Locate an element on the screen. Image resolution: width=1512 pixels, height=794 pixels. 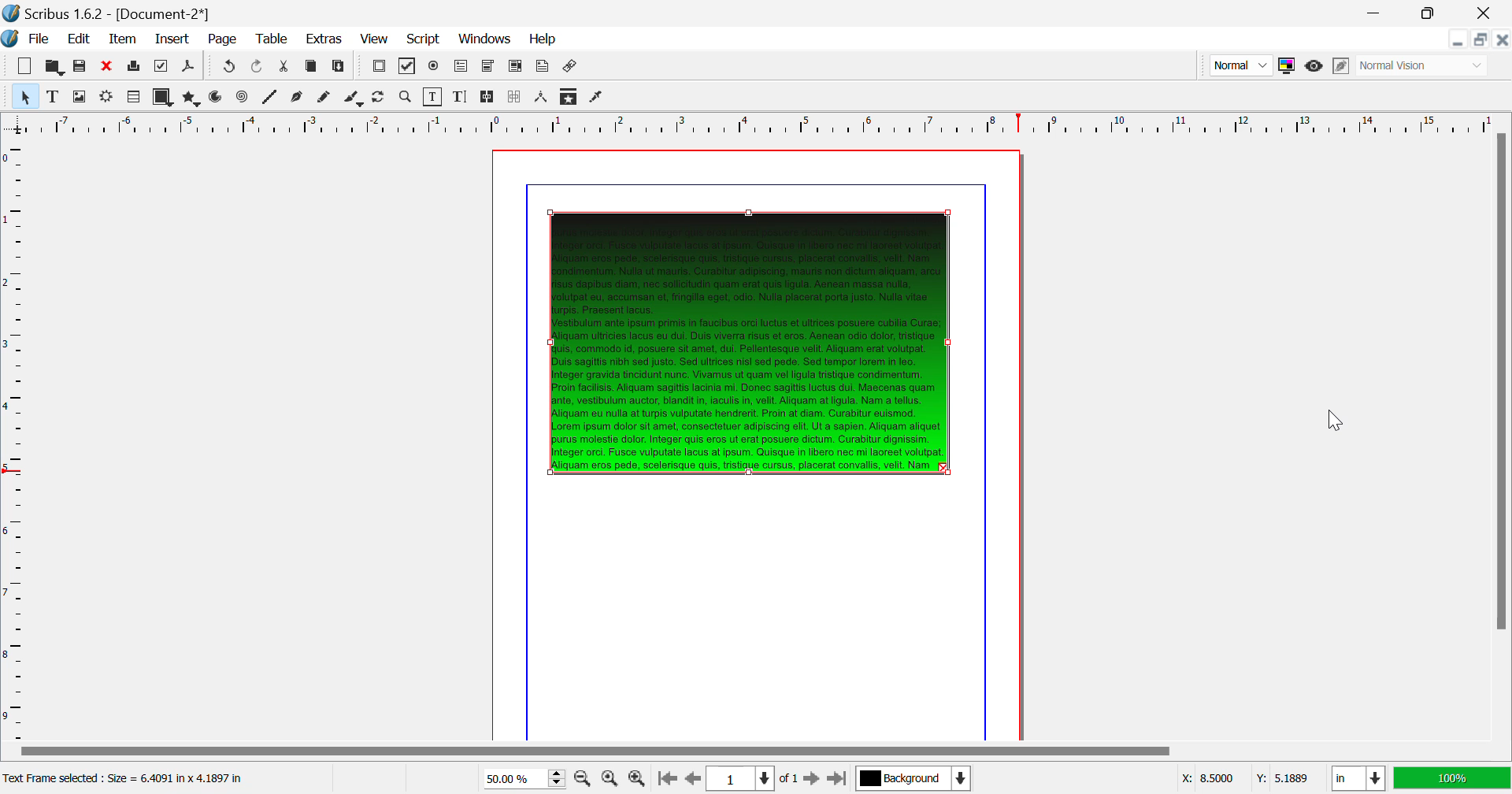
File is located at coordinates (28, 39).